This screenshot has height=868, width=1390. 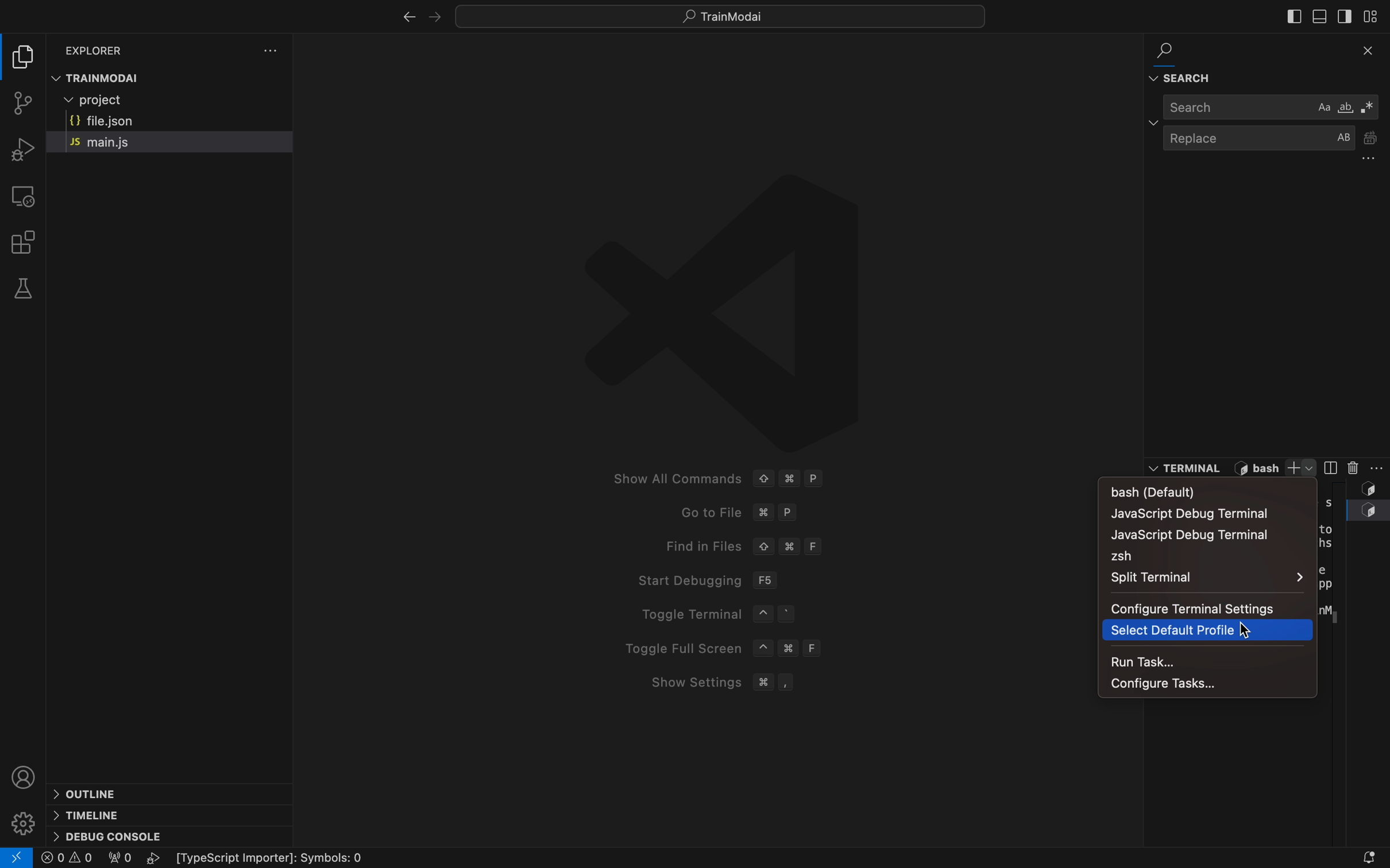 I want to click on , so click(x=1188, y=468).